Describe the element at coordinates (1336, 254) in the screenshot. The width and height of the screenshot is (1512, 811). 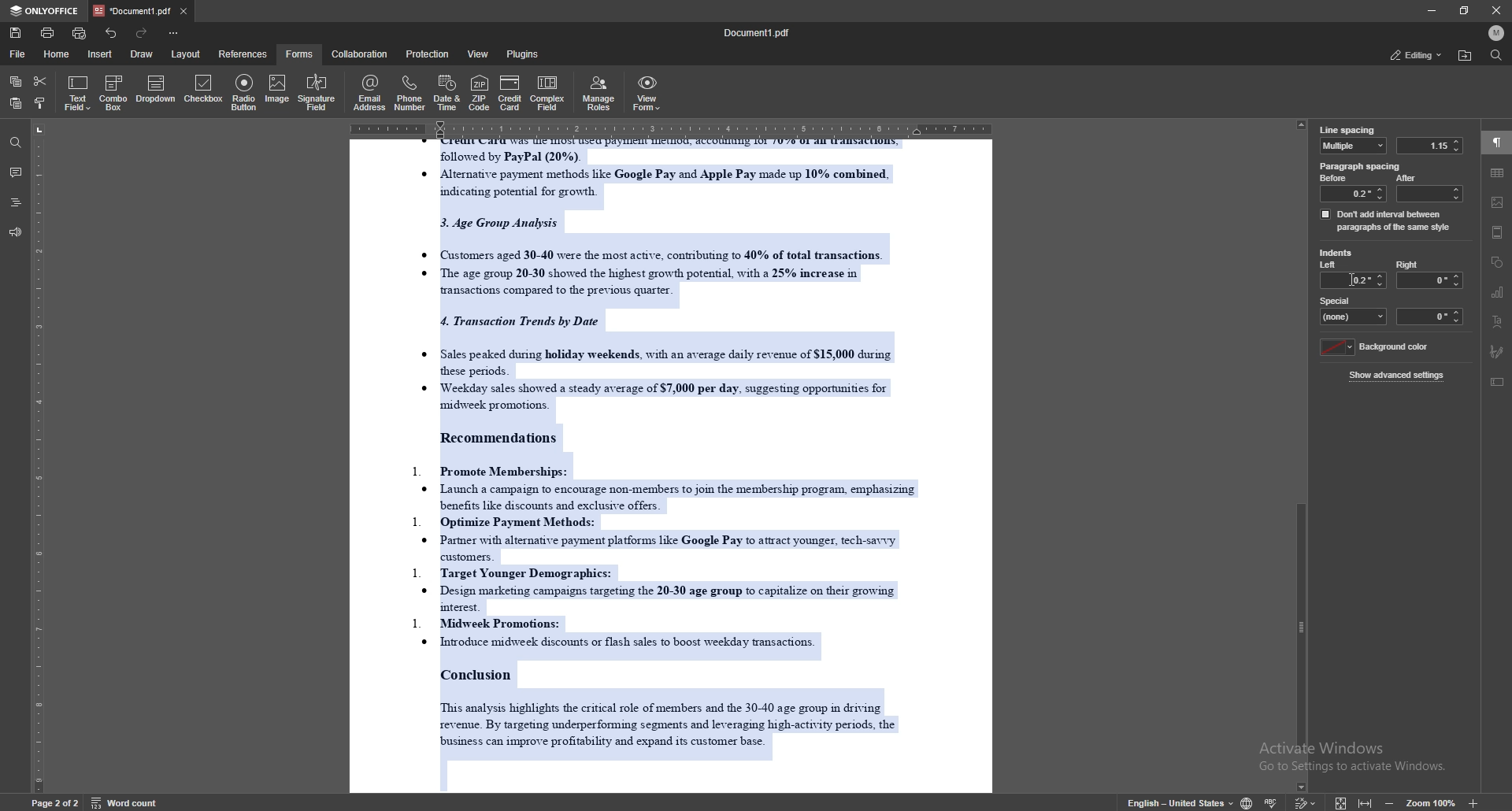
I see `indents` at that location.